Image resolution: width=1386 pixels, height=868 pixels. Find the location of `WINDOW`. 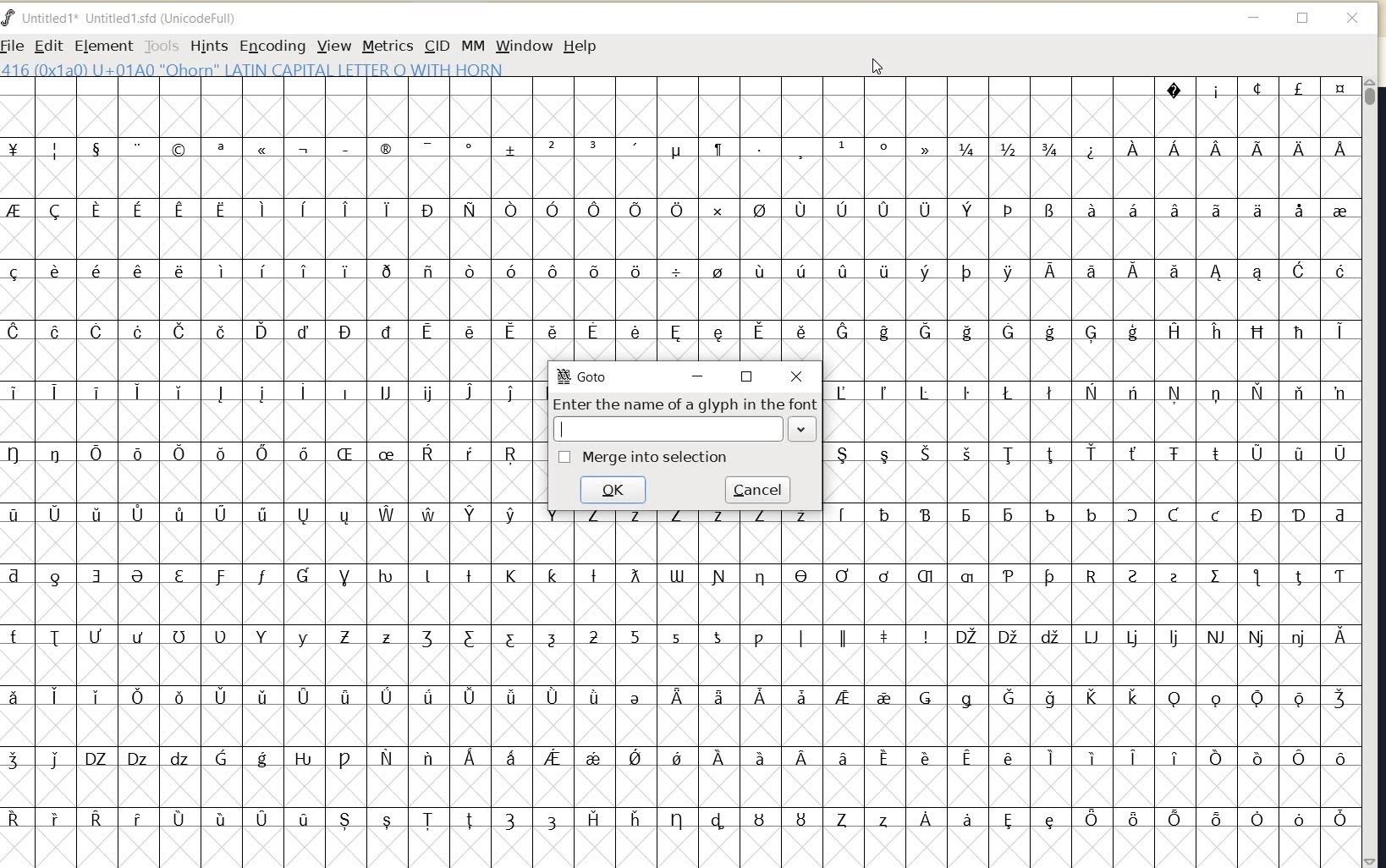

WINDOW is located at coordinates (525, 46).